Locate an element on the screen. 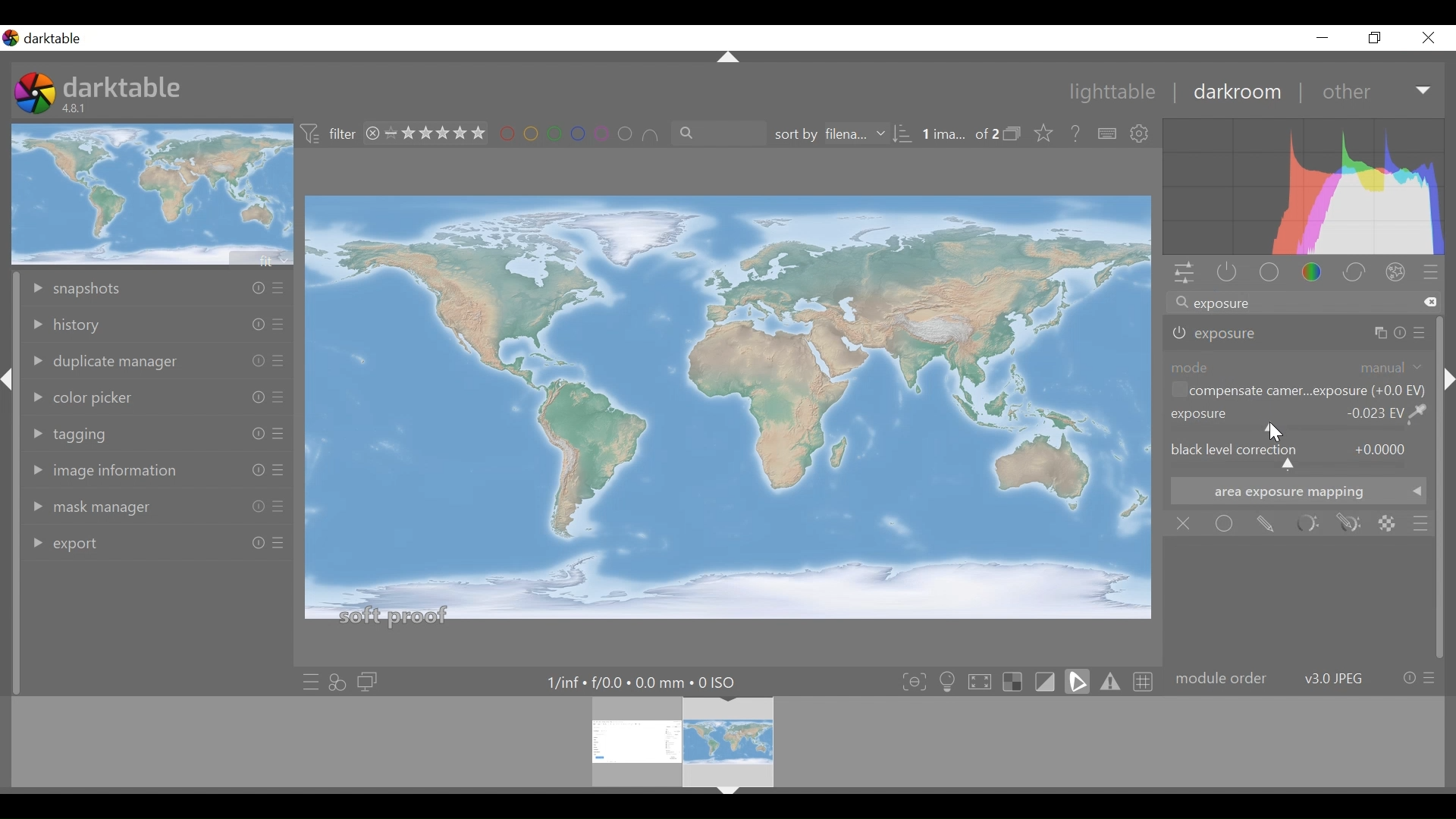  effect  is located at coordinates (1399, 275).